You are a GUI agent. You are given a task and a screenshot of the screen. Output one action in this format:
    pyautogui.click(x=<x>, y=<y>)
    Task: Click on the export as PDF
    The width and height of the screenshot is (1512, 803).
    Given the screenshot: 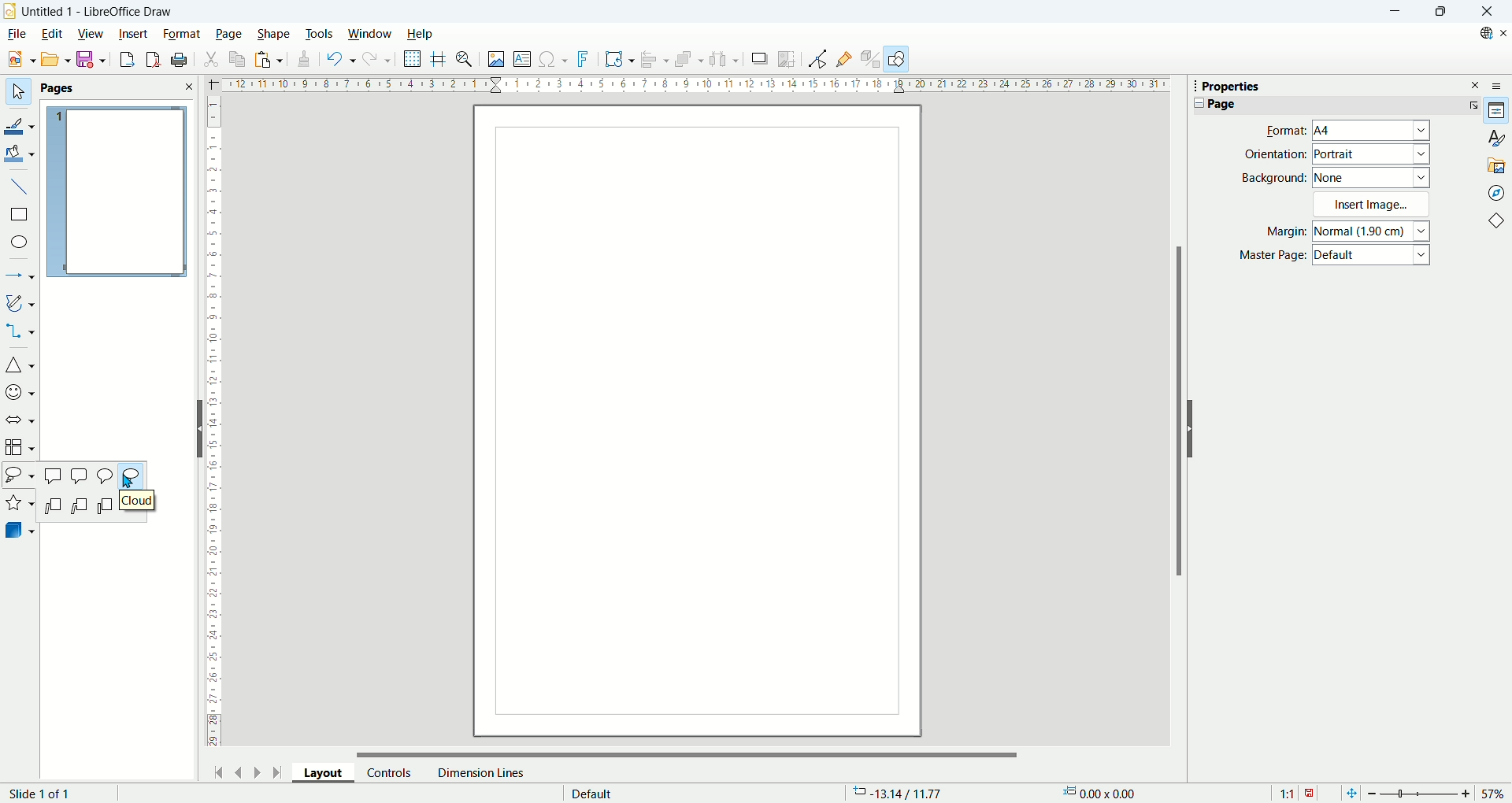 What is the action you would take?
    pyautogui.click(x=151, y=60)
    